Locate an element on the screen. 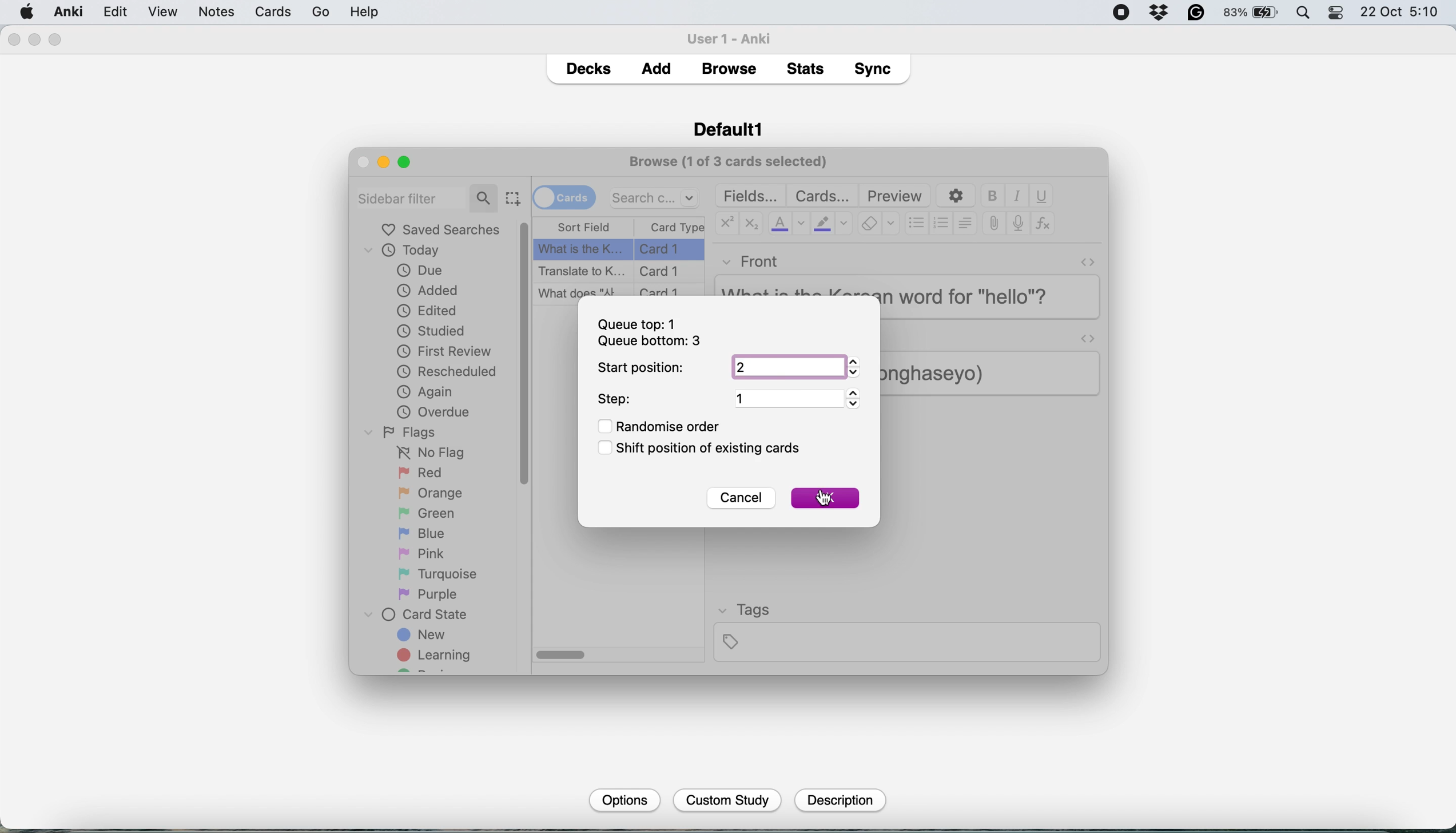 The height and width of the screenshot is (833, 1456). search bar is located at coordinates (427, 197).